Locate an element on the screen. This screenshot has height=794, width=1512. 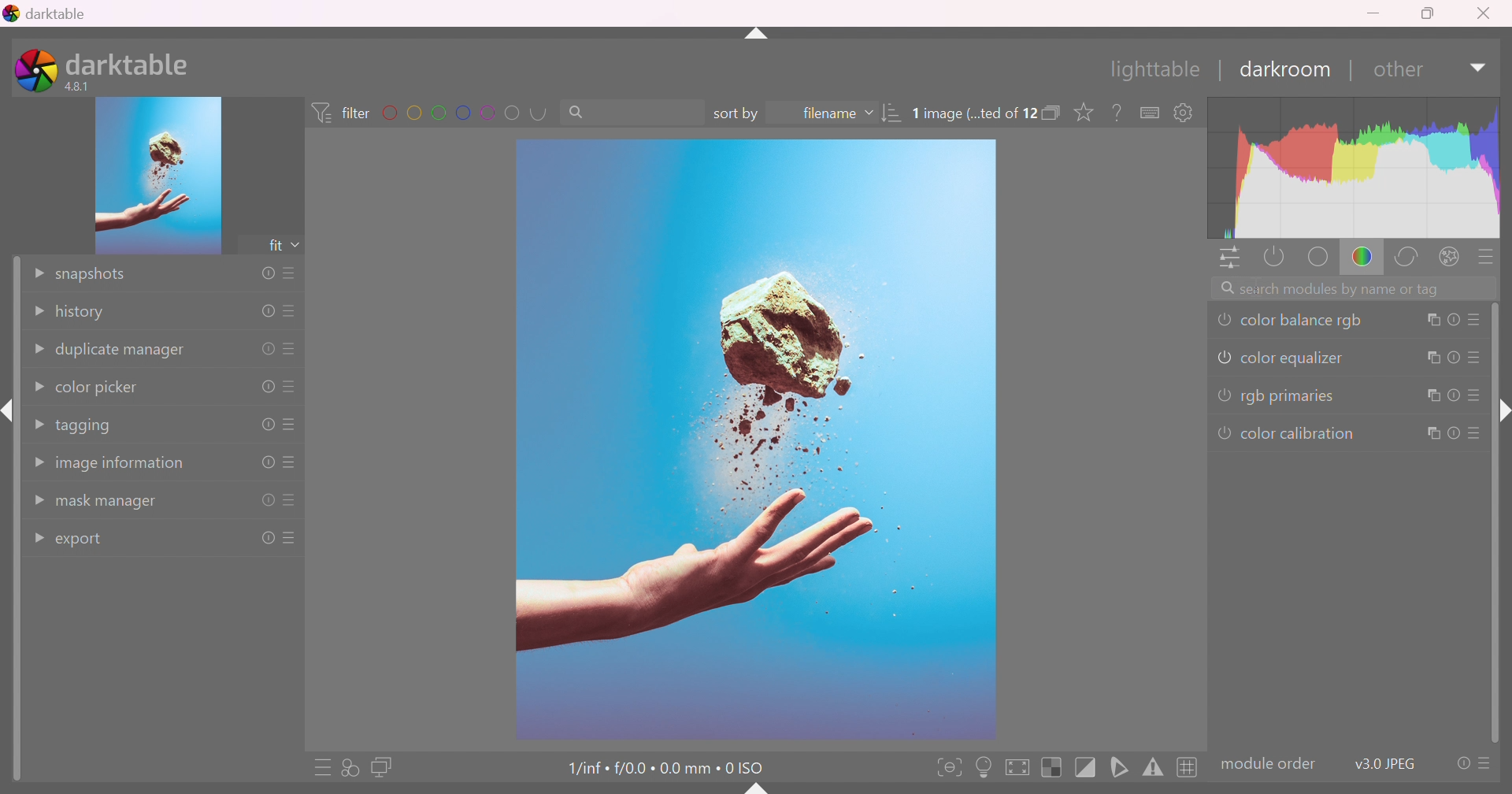
1 image (...ted of 12 is located at coordinates (976, 114).